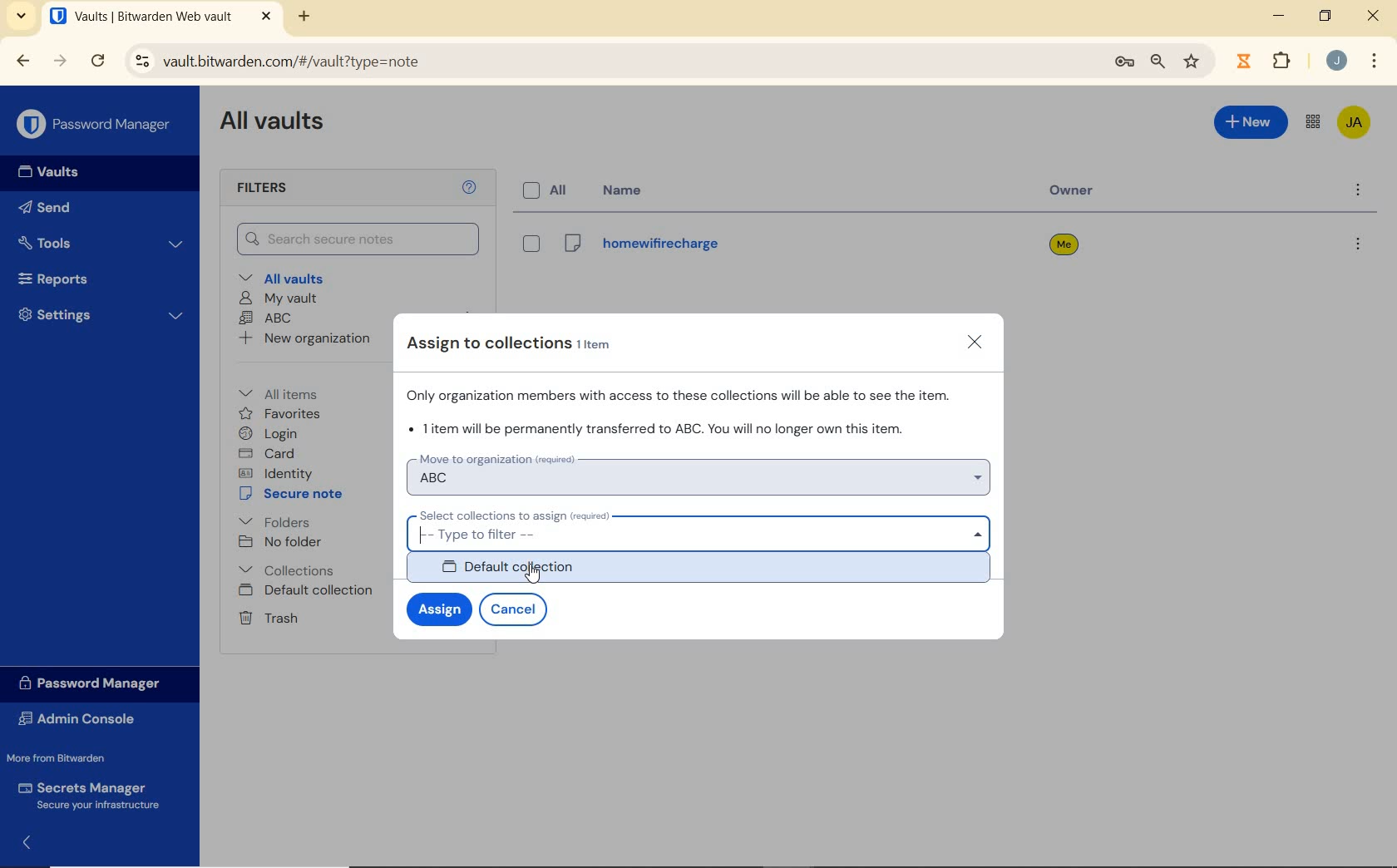  What do you see at coordinates (23, 18) in the screenshot?
I see `search tabs` at bounding box center [23, 18].